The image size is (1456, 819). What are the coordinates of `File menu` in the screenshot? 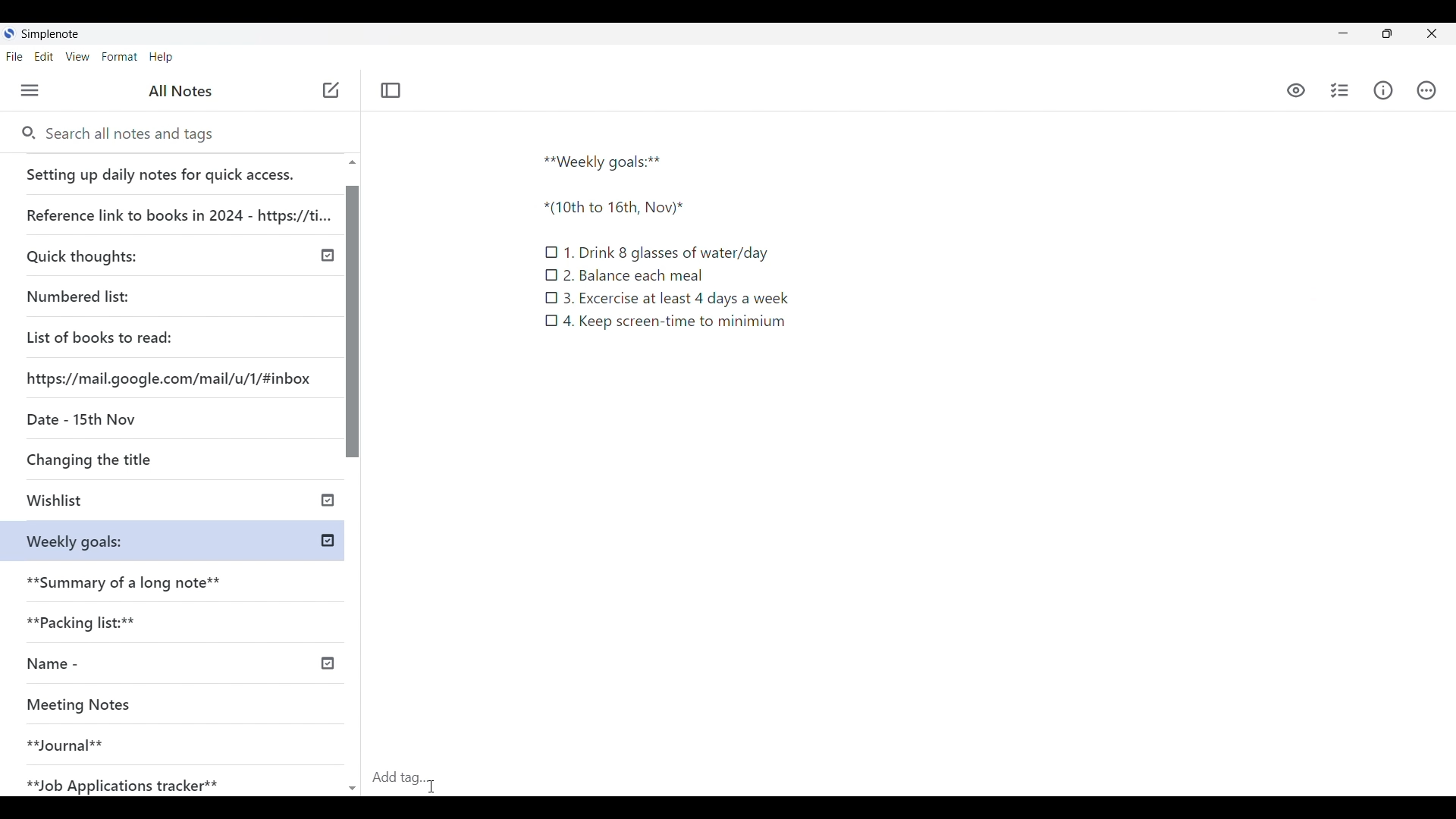 It's located at (14, 57).